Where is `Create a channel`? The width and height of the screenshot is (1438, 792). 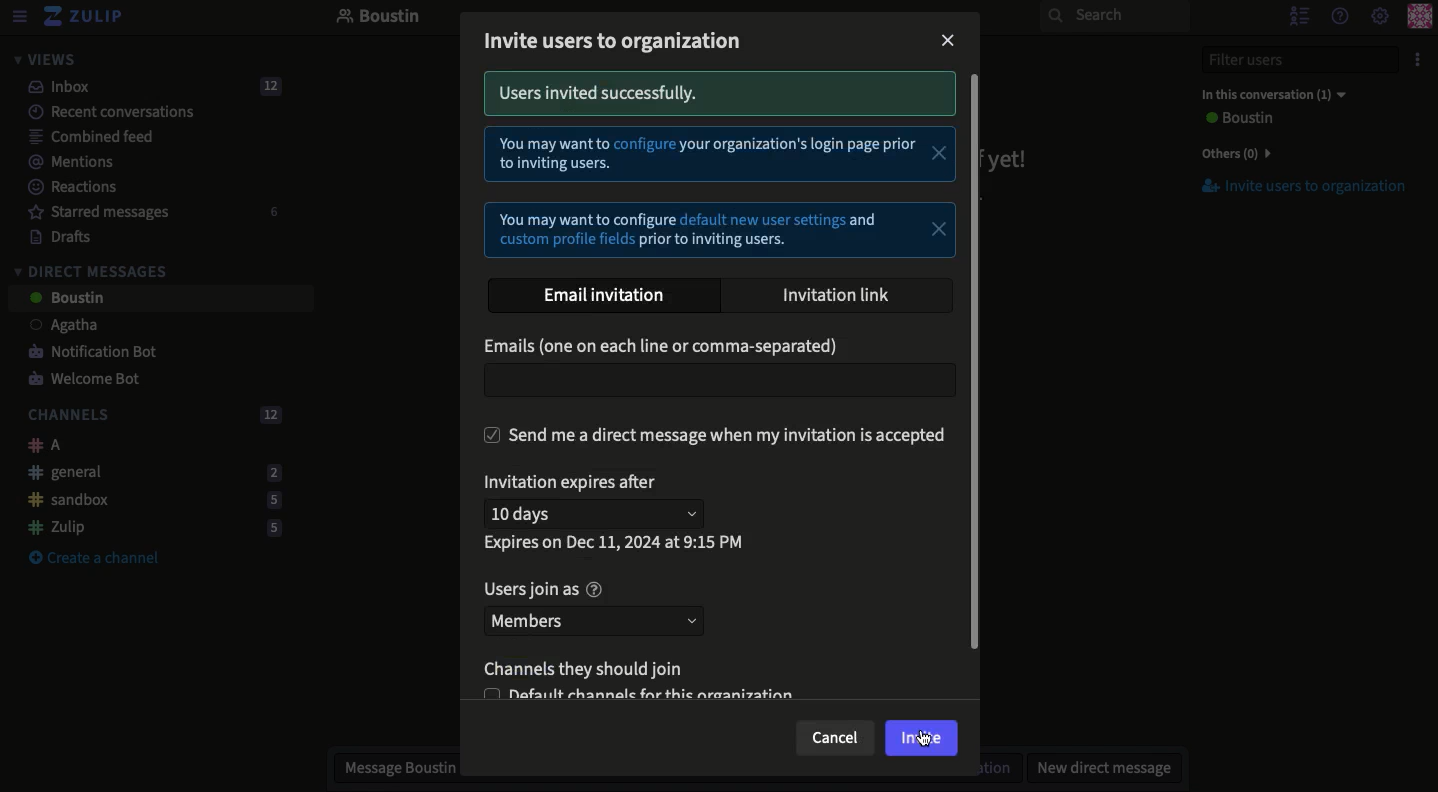 Create a channel is located at coordinates (94, 559).